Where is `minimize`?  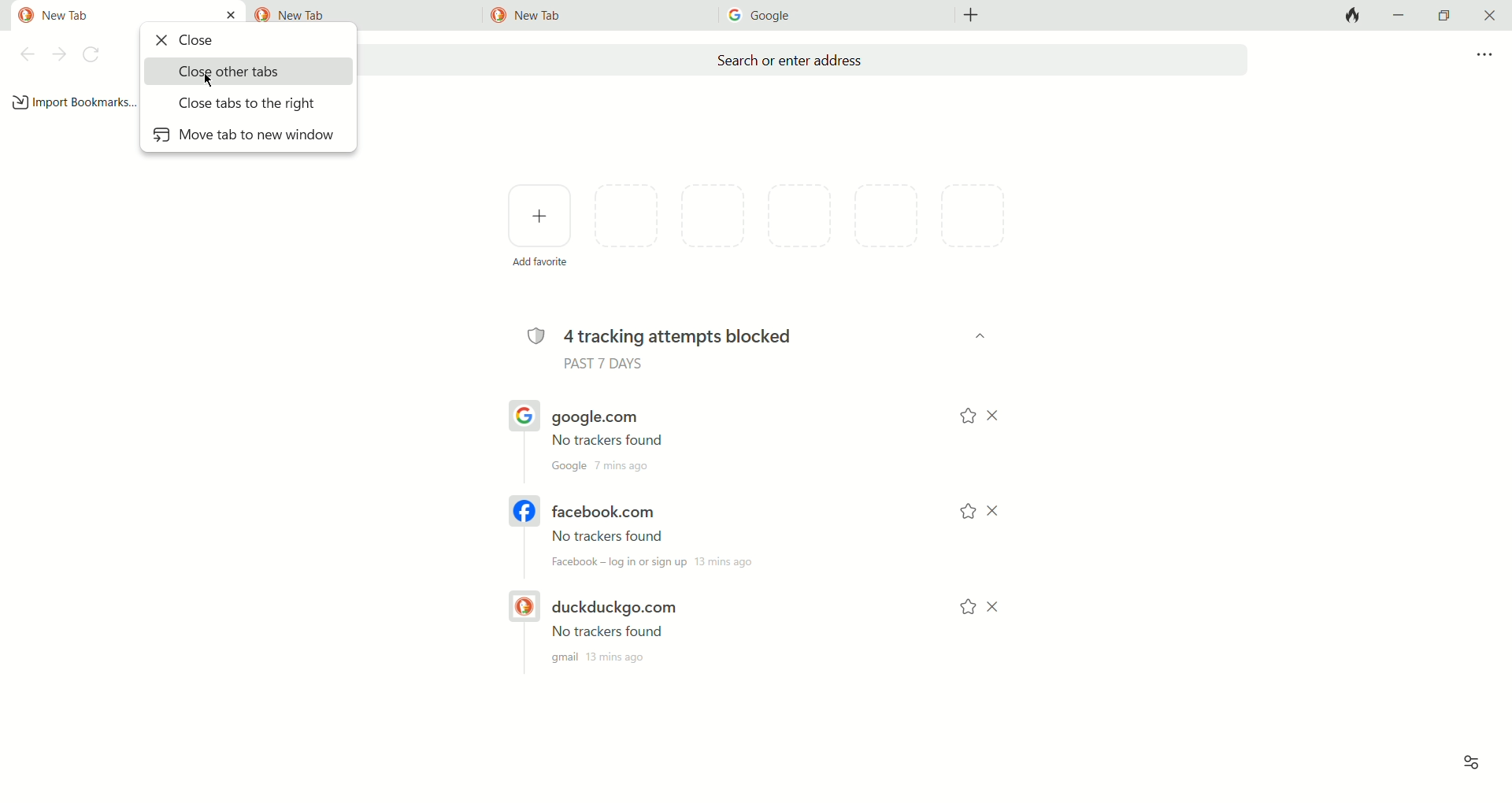
minimize is located at coordinates (1399, 15).